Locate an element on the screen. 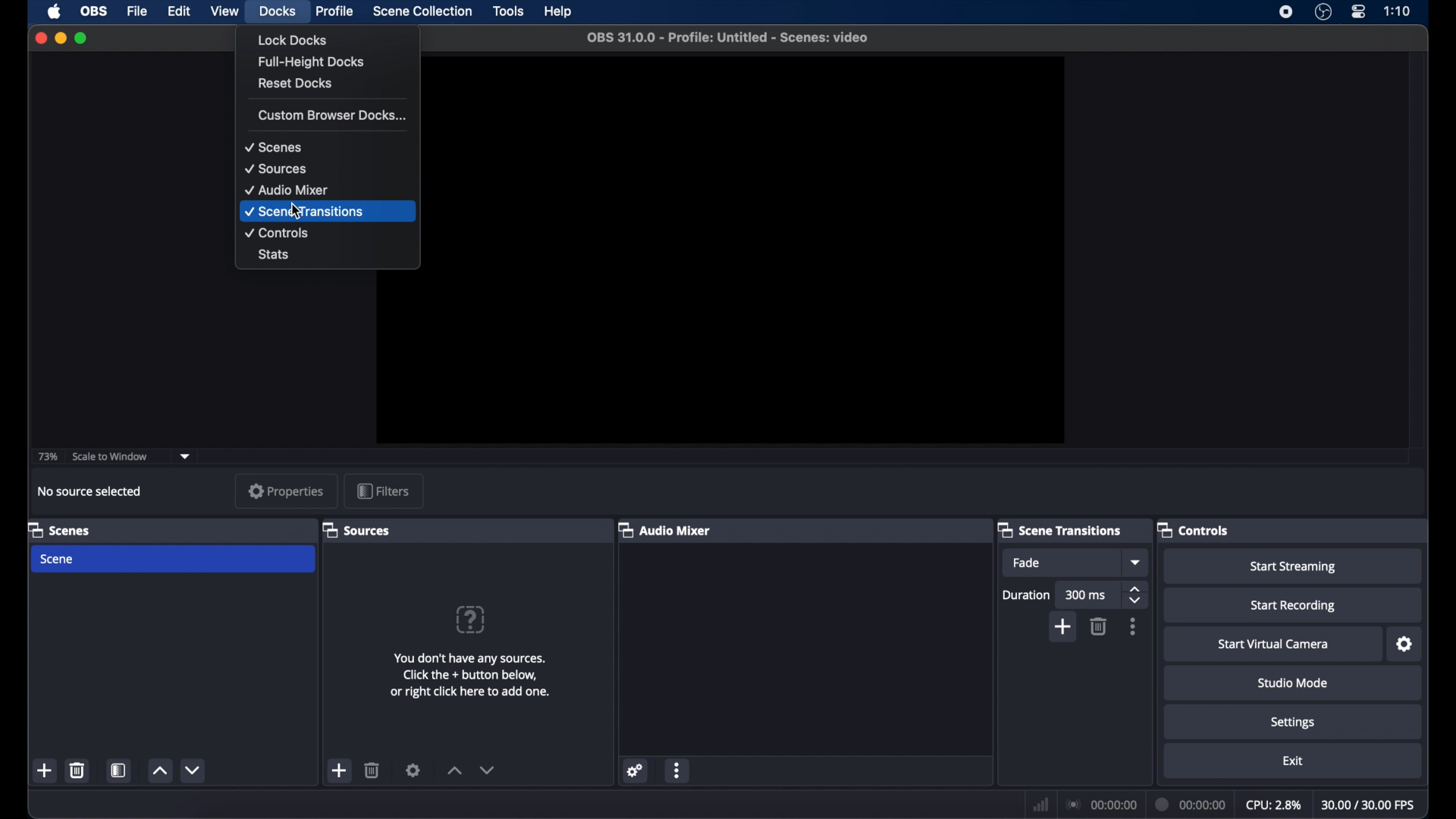  minimize is located at coordinates (60, 38).